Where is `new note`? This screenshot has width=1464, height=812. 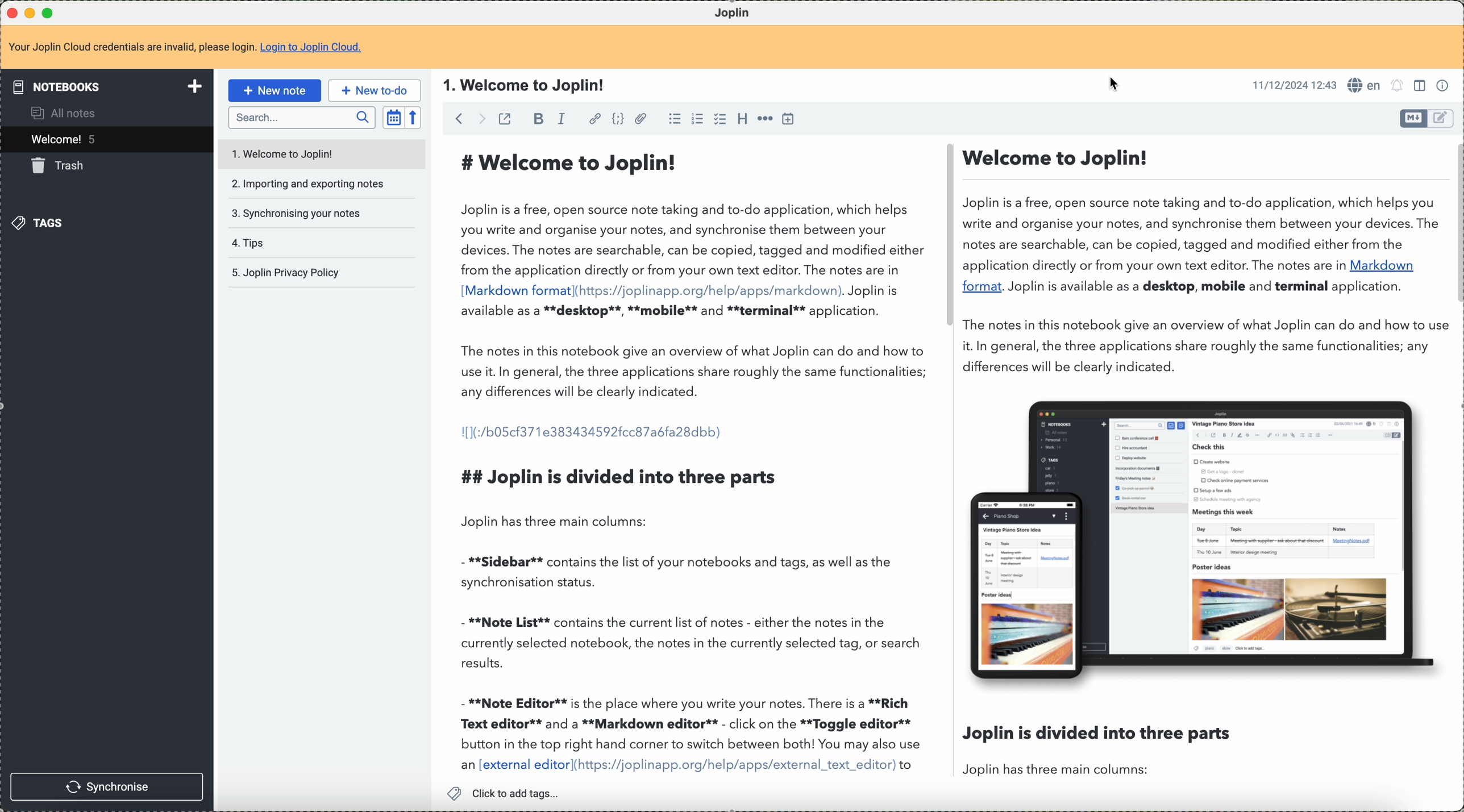
new note is located at coordinates (278, 90).